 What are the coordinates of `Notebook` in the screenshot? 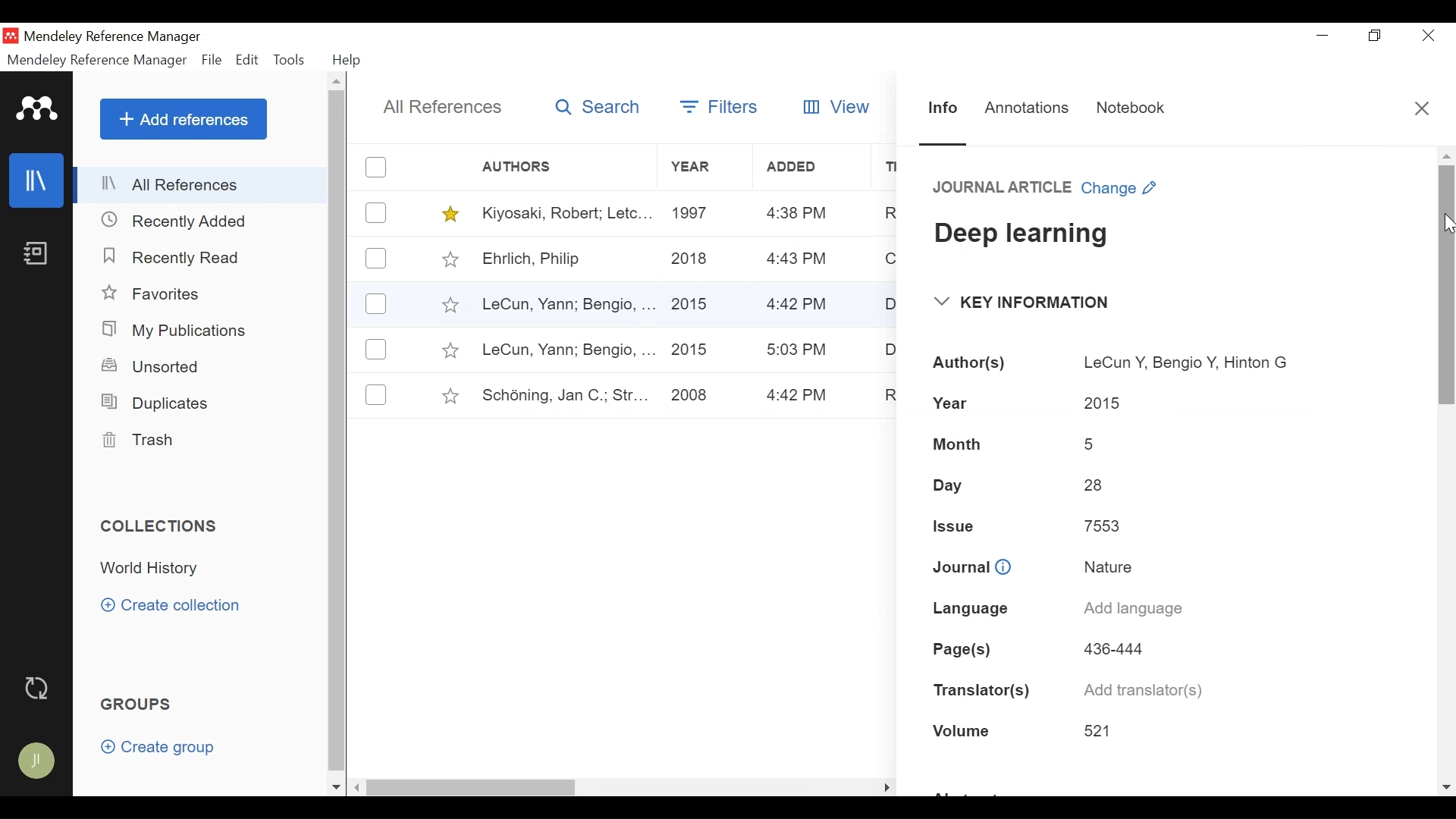 It's located at (1137, 108).